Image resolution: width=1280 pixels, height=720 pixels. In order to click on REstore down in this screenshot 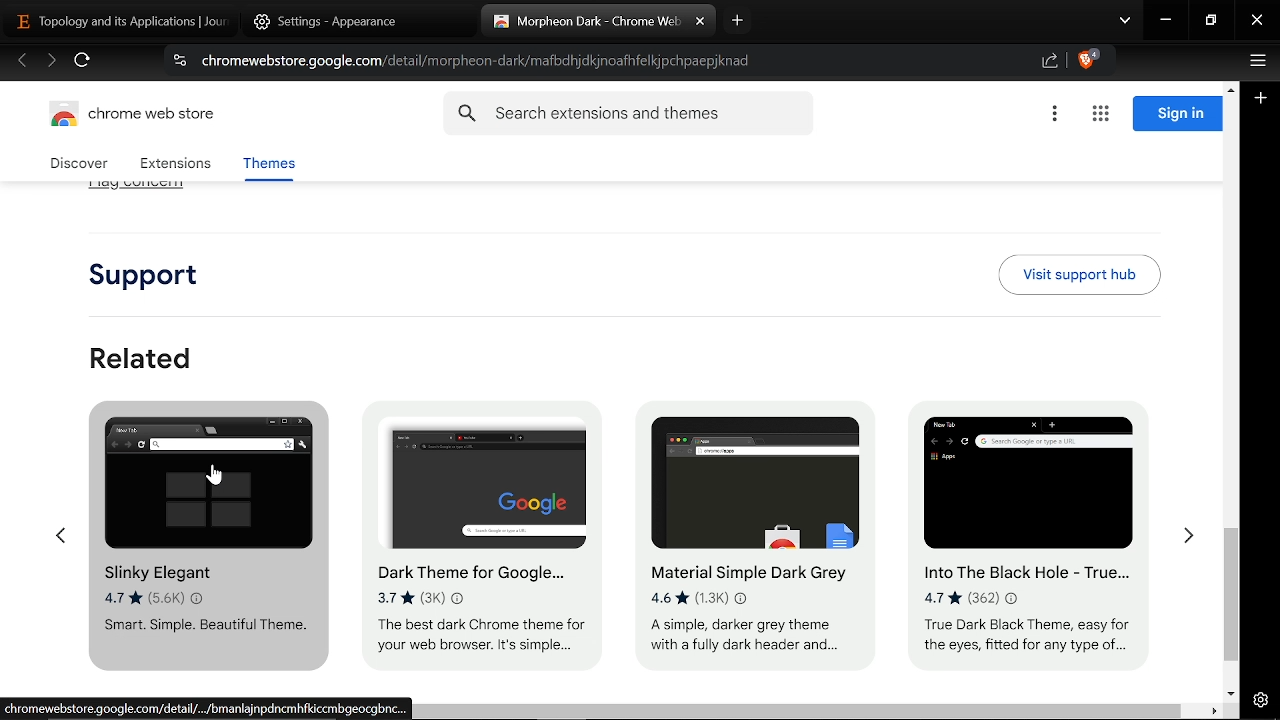, I will do `click(1213, 21)`.